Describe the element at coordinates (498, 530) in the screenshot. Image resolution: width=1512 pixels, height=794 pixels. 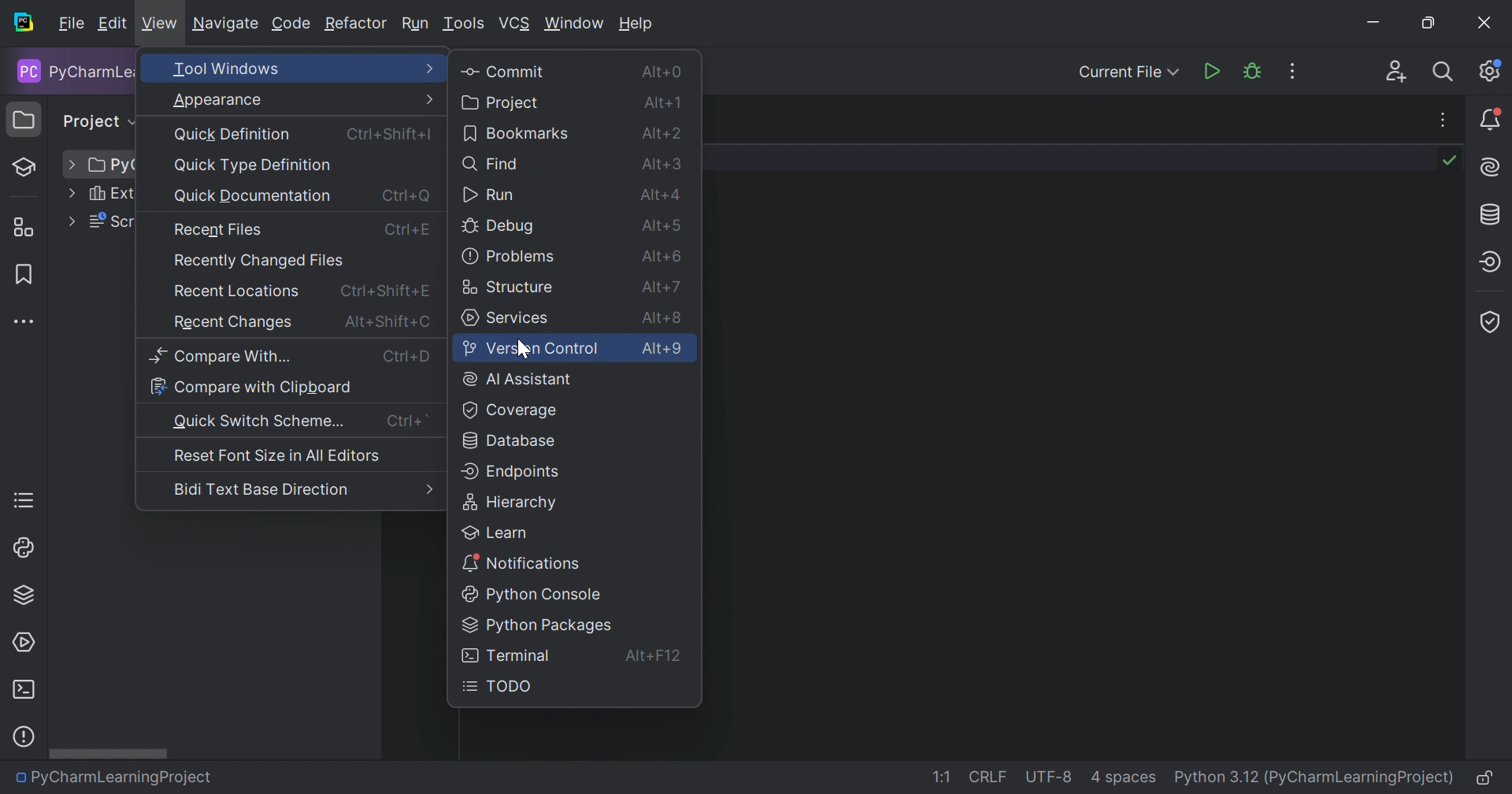
I see `Learn` at that location.